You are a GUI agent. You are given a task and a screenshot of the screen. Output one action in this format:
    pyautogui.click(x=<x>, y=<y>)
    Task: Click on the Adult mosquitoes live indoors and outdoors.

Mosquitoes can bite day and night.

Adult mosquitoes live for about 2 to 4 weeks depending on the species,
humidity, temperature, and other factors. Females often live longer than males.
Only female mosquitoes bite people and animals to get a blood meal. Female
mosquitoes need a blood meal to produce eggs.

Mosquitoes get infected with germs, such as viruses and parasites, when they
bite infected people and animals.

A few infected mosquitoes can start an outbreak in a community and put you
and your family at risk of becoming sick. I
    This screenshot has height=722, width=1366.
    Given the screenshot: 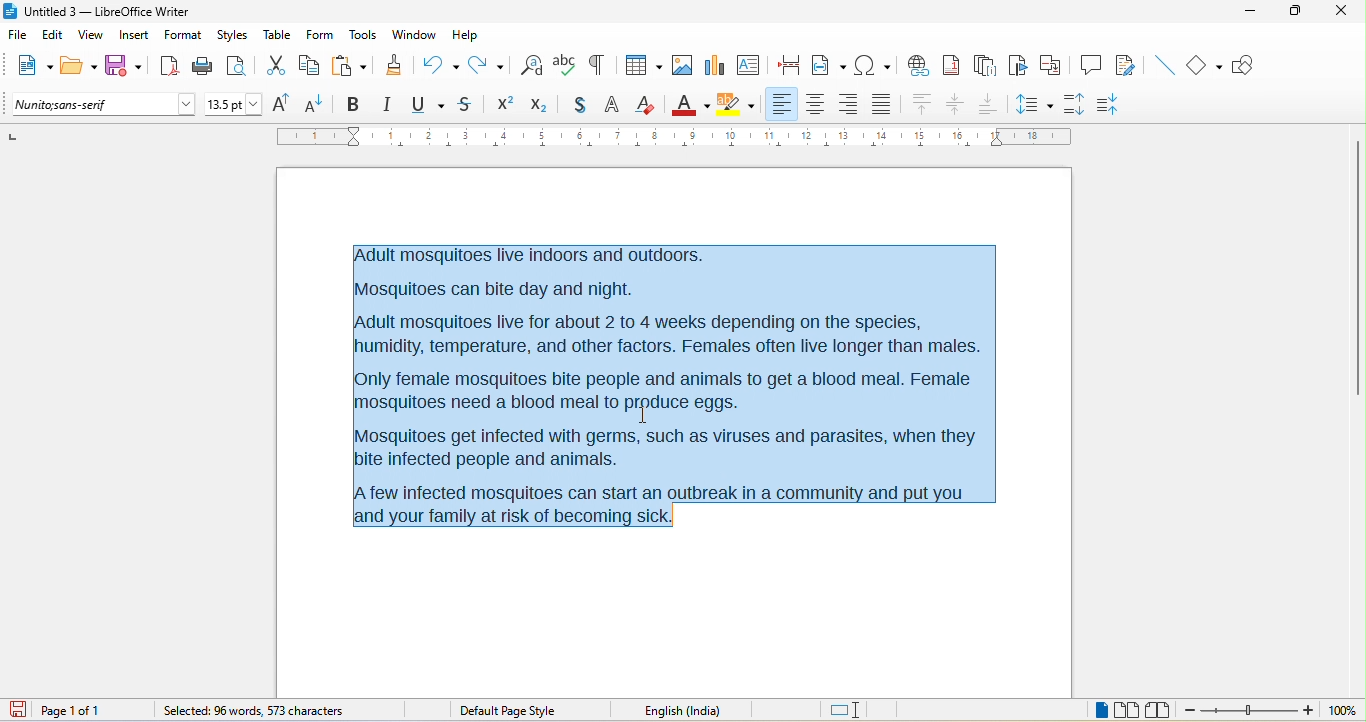 What is the action you would take?
    pyautogui.click(x=670, y=384)
    